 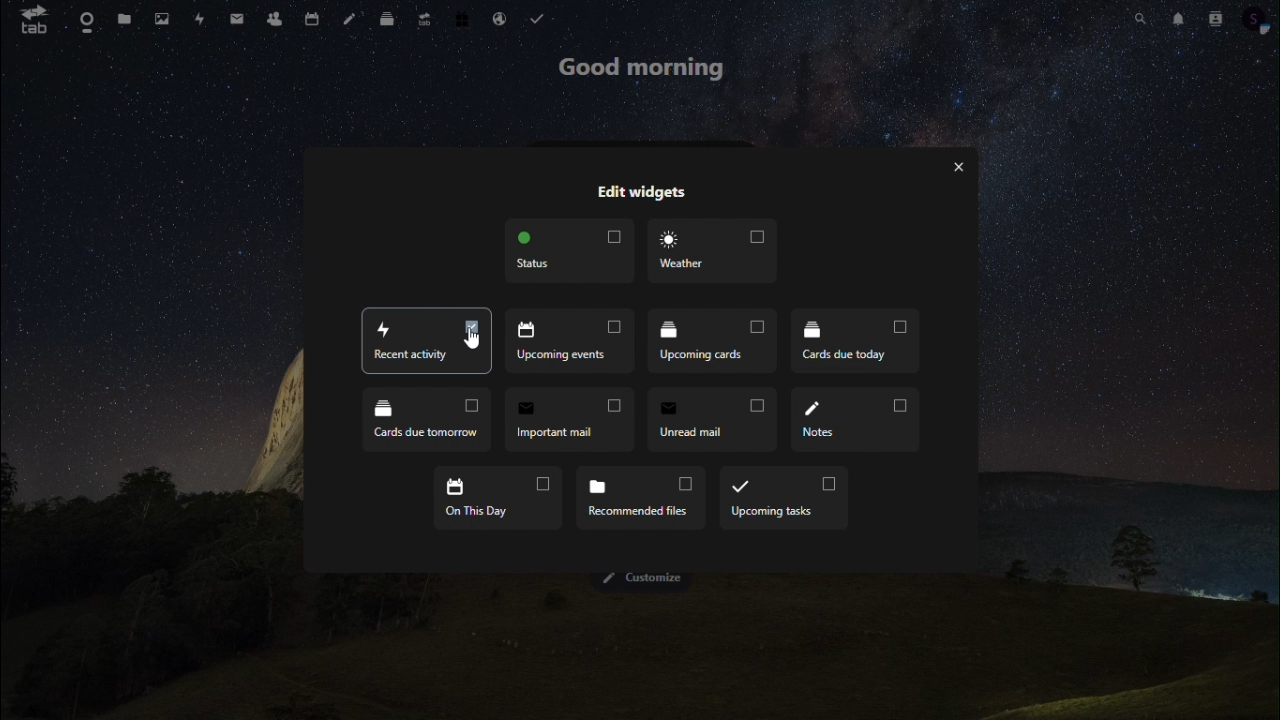 I want to click on Customize, so click(x=647, y=581).